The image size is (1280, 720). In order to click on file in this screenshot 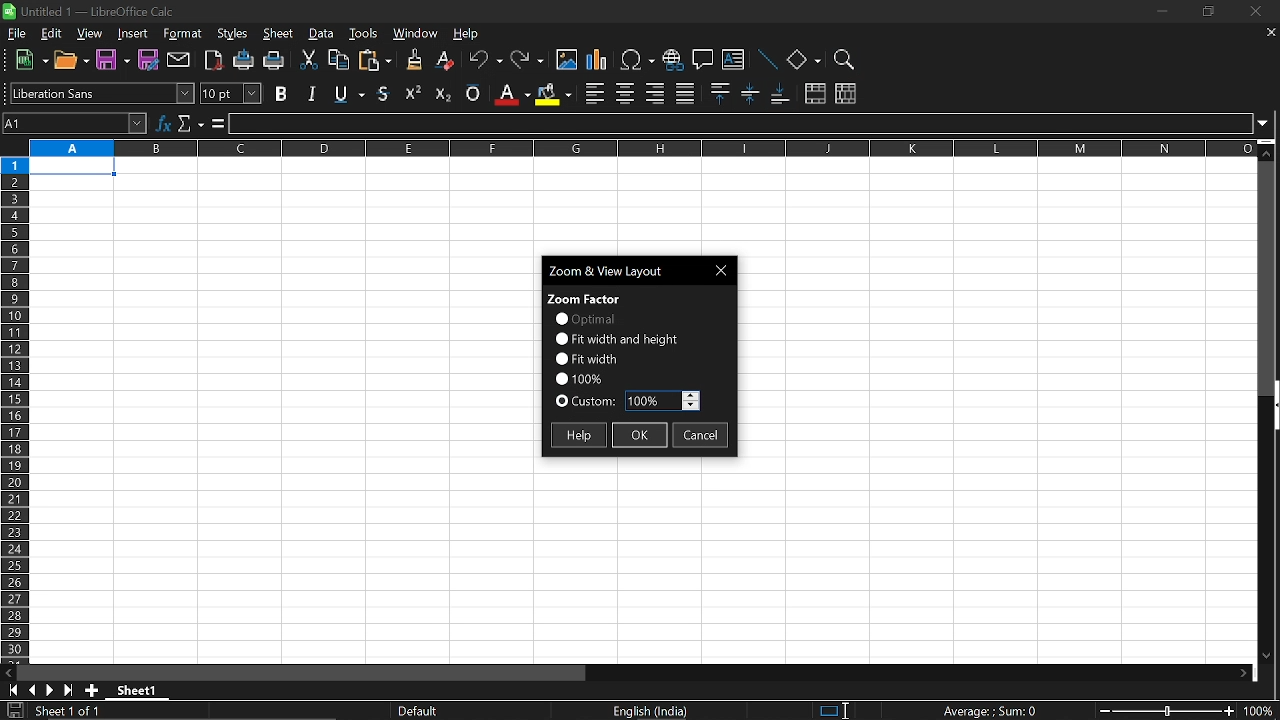, I will do `click(18, 34)`.